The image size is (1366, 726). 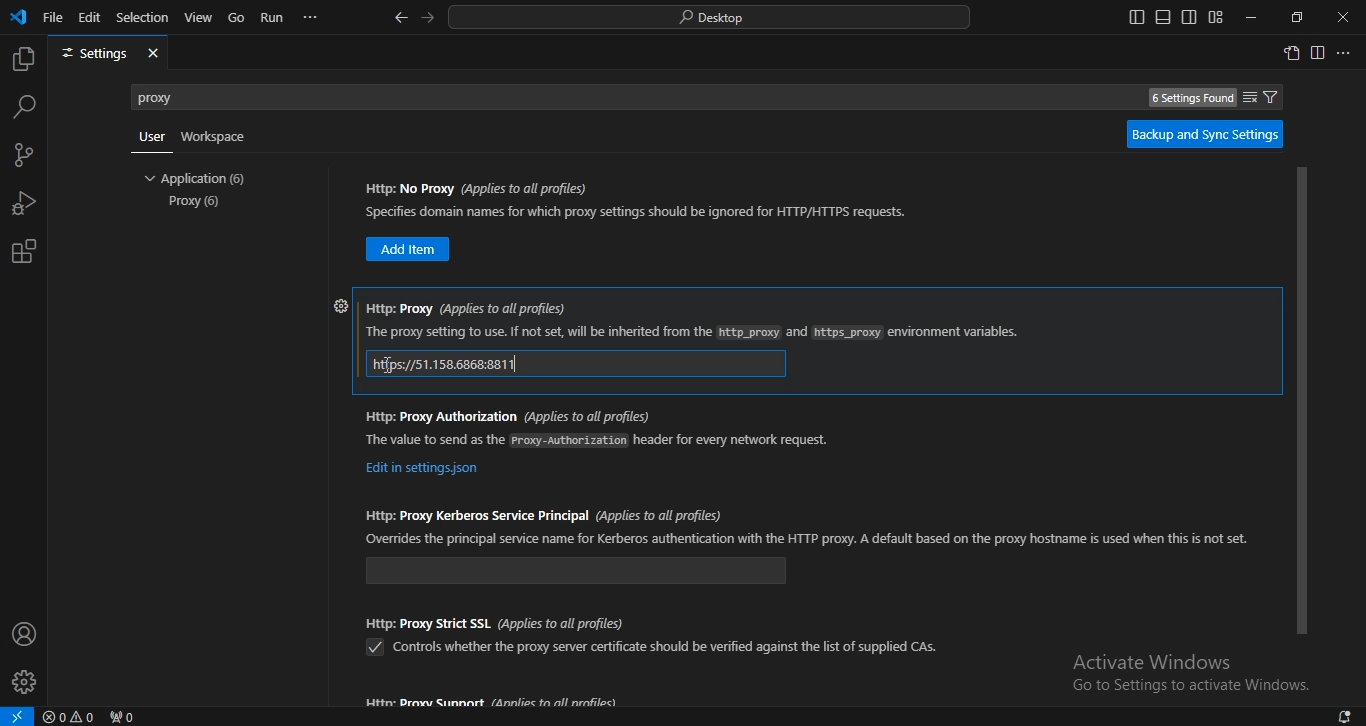 What do you see at coordinates (23, 682) in the screenshot?
I see `settings` at bounding box center [23, 682].